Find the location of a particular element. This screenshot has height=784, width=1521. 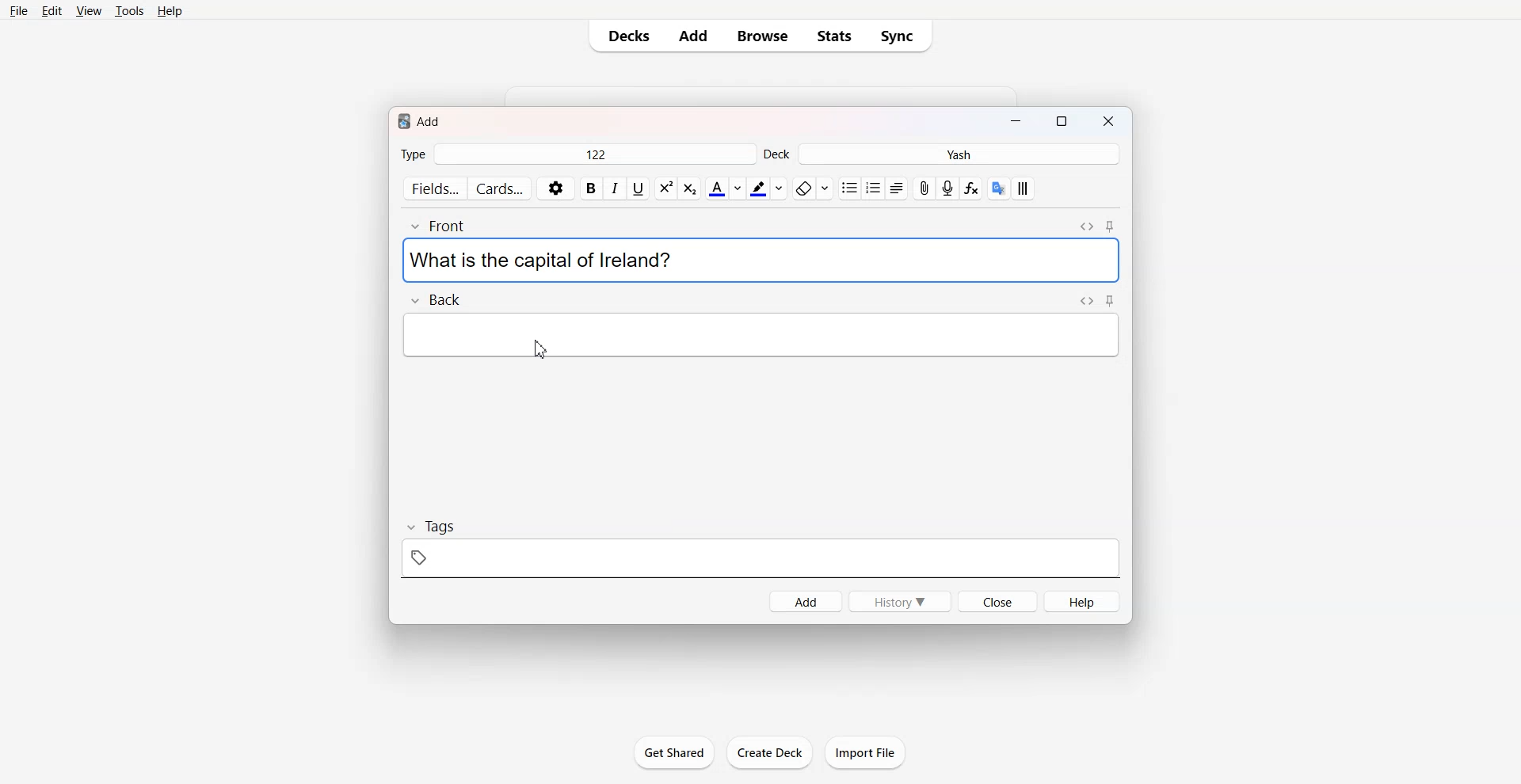

Italic is located at coordinates (614, 188).